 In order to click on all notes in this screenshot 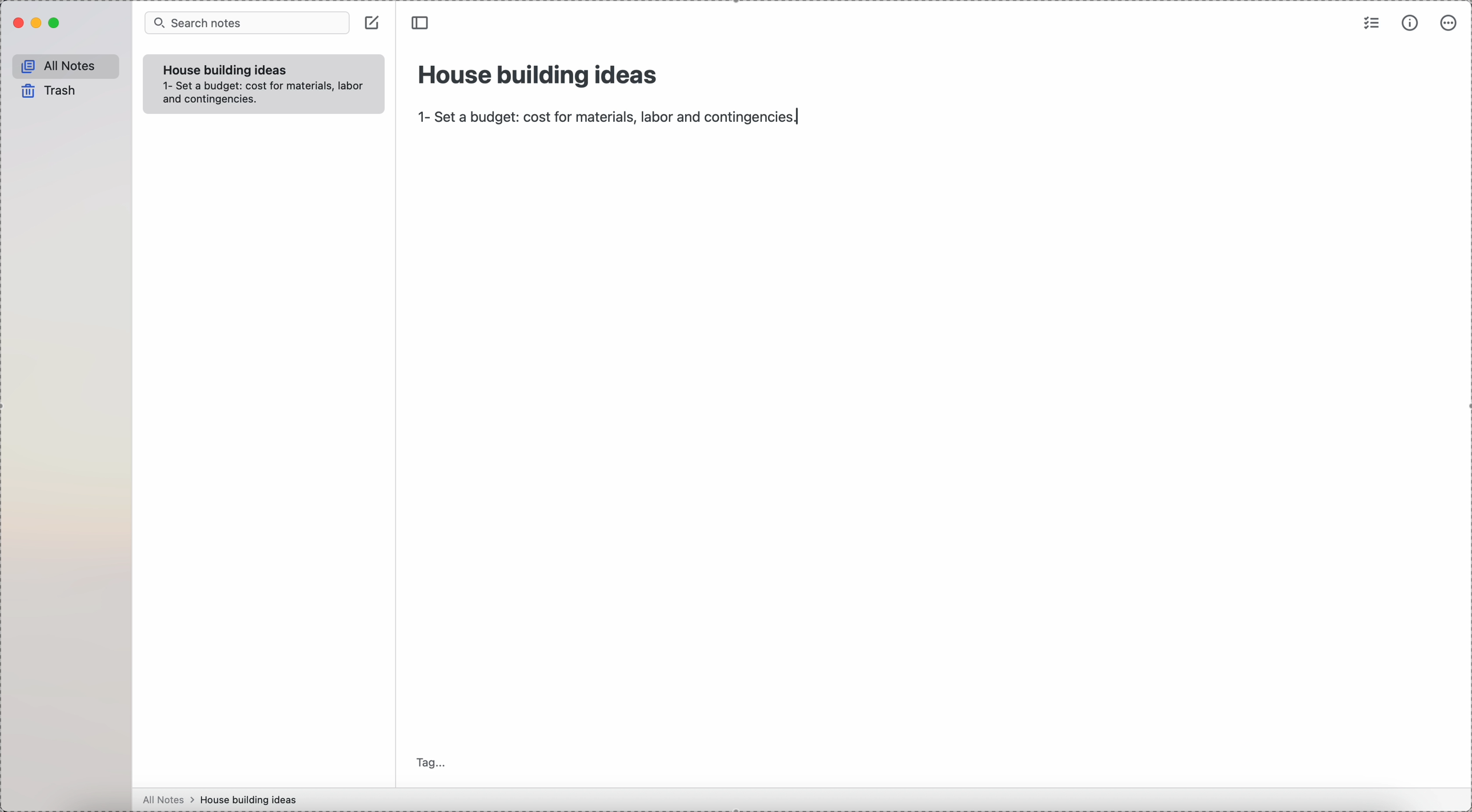, I will do `click(66, 66)`.